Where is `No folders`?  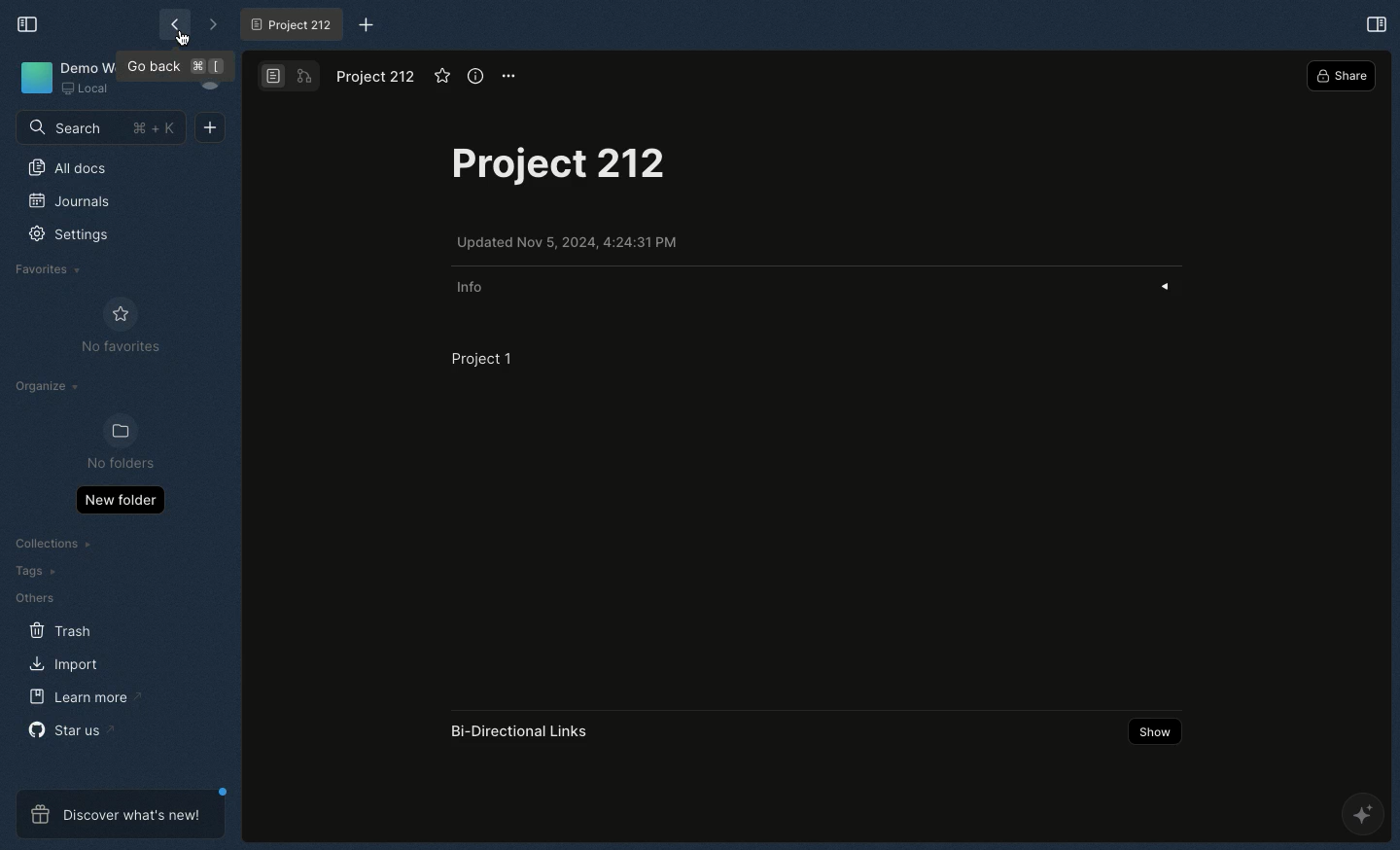 No folders is located at coordinates (122, 443).